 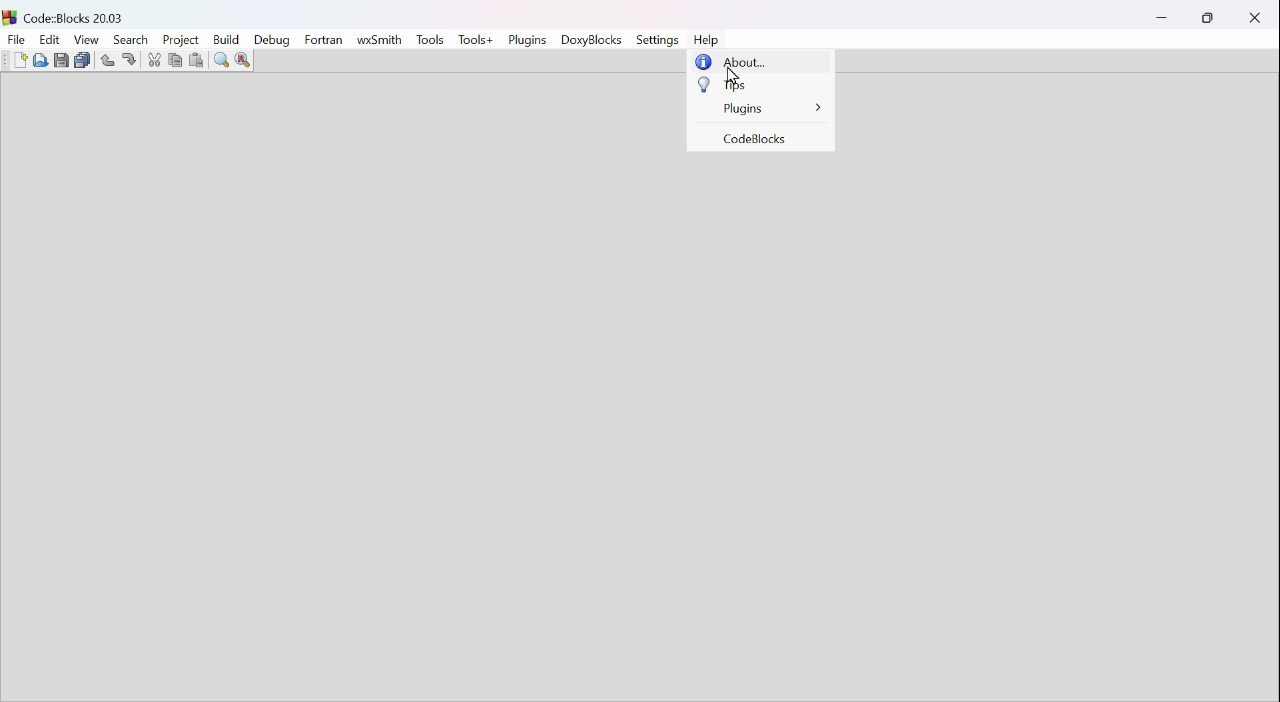 I want to click on Project, so click(x=179, y=39).